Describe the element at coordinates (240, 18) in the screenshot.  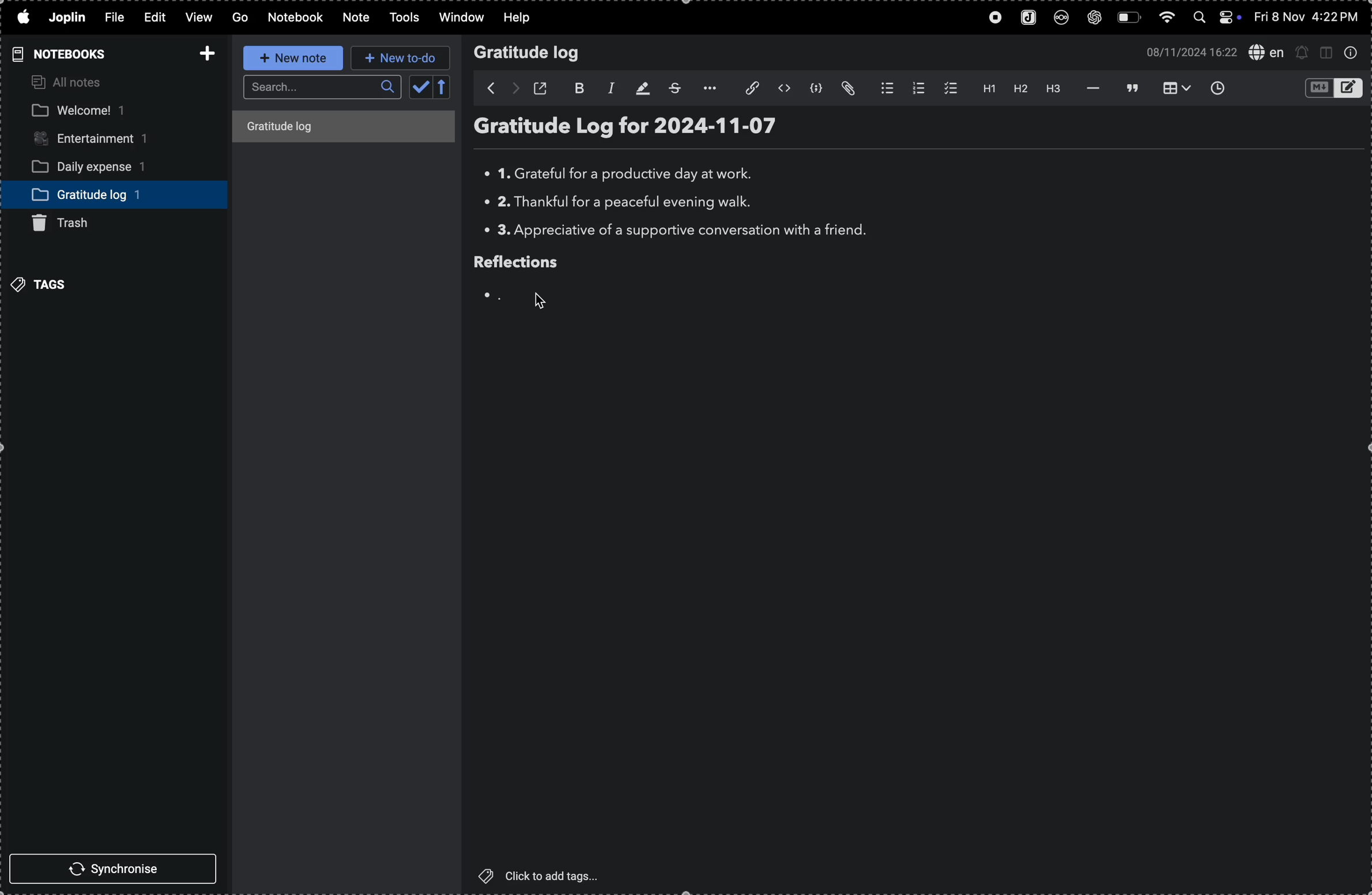
I see `Go` at that location.